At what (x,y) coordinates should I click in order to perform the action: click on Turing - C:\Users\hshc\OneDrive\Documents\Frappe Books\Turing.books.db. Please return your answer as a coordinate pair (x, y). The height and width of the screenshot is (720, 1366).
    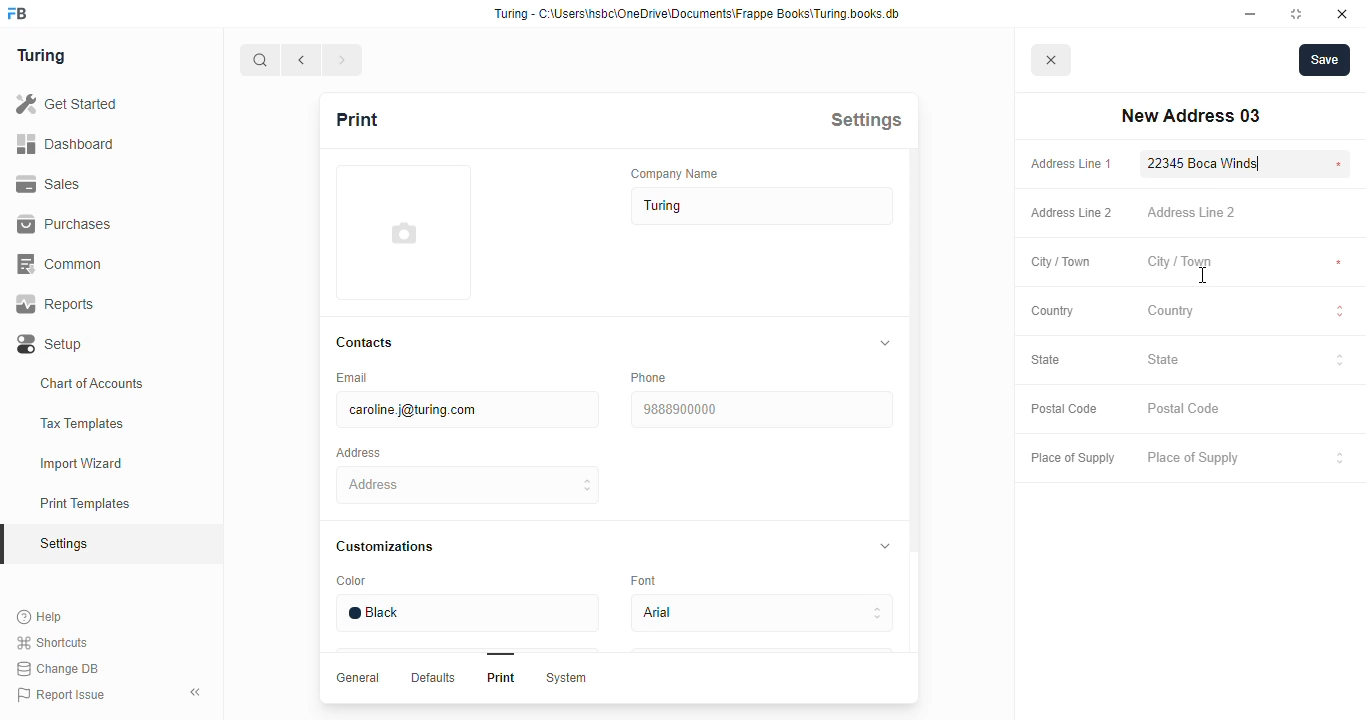
    Looking at the image, I should click on (699, 14).